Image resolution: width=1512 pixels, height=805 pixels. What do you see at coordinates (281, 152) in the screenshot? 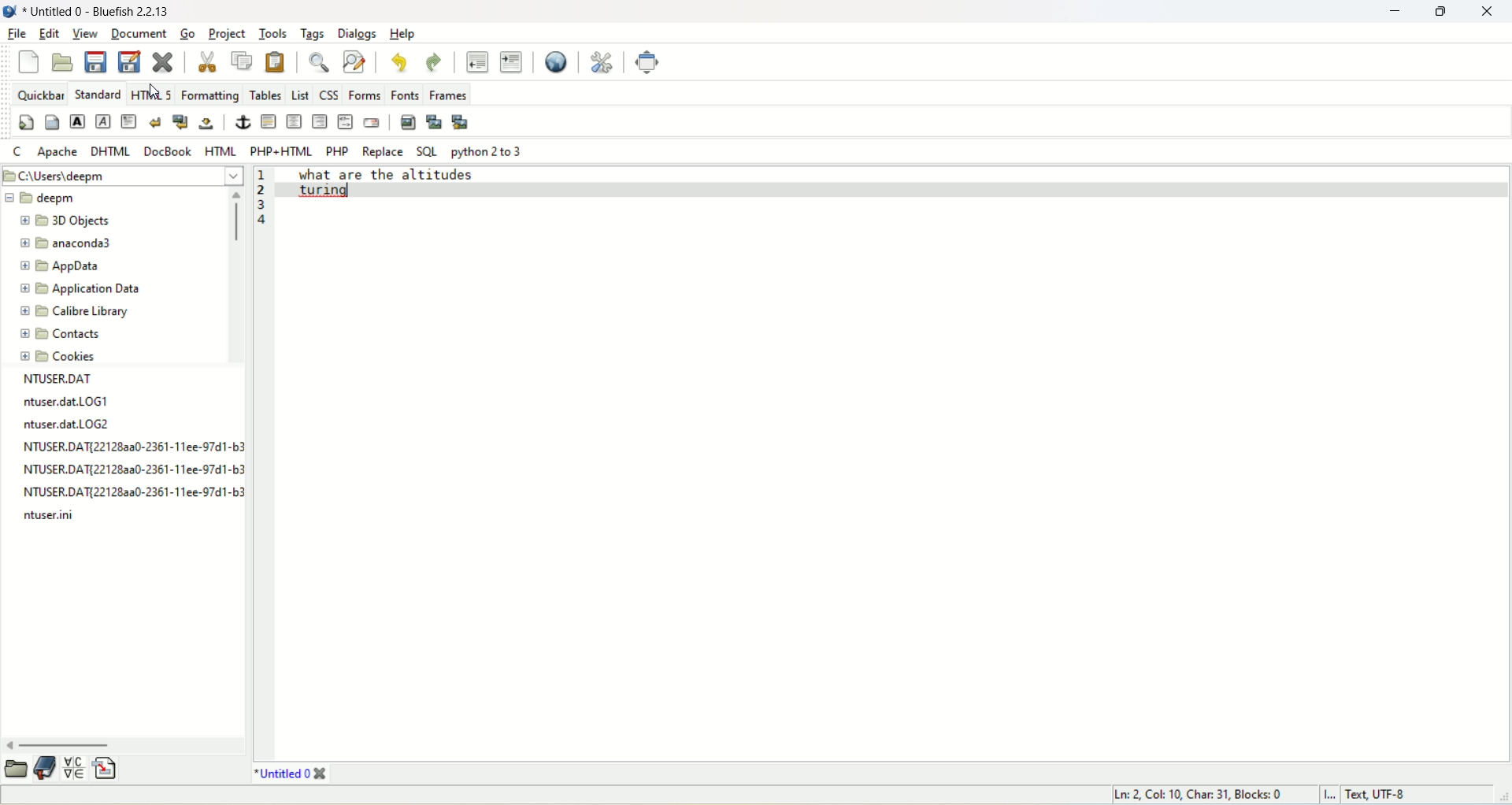
I see `PHP+HTML` at bounding box center [281, 152].